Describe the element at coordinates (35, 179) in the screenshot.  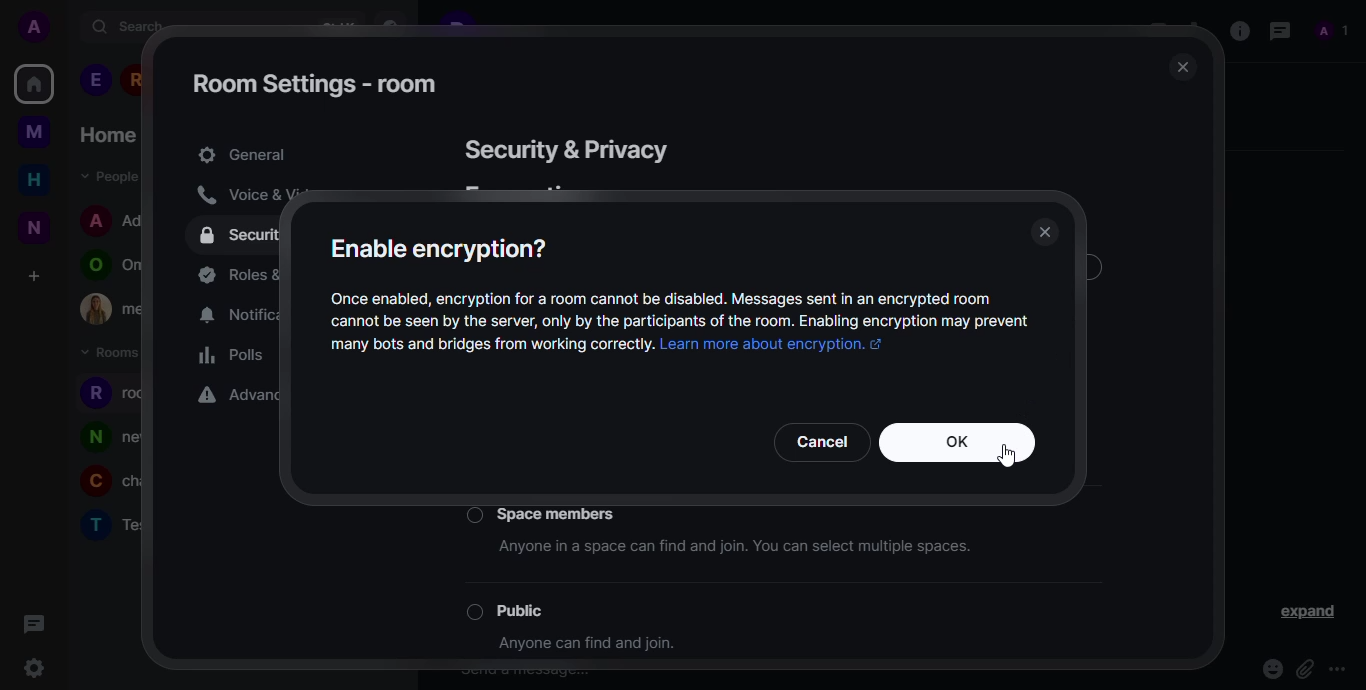
I see `home` at that location.